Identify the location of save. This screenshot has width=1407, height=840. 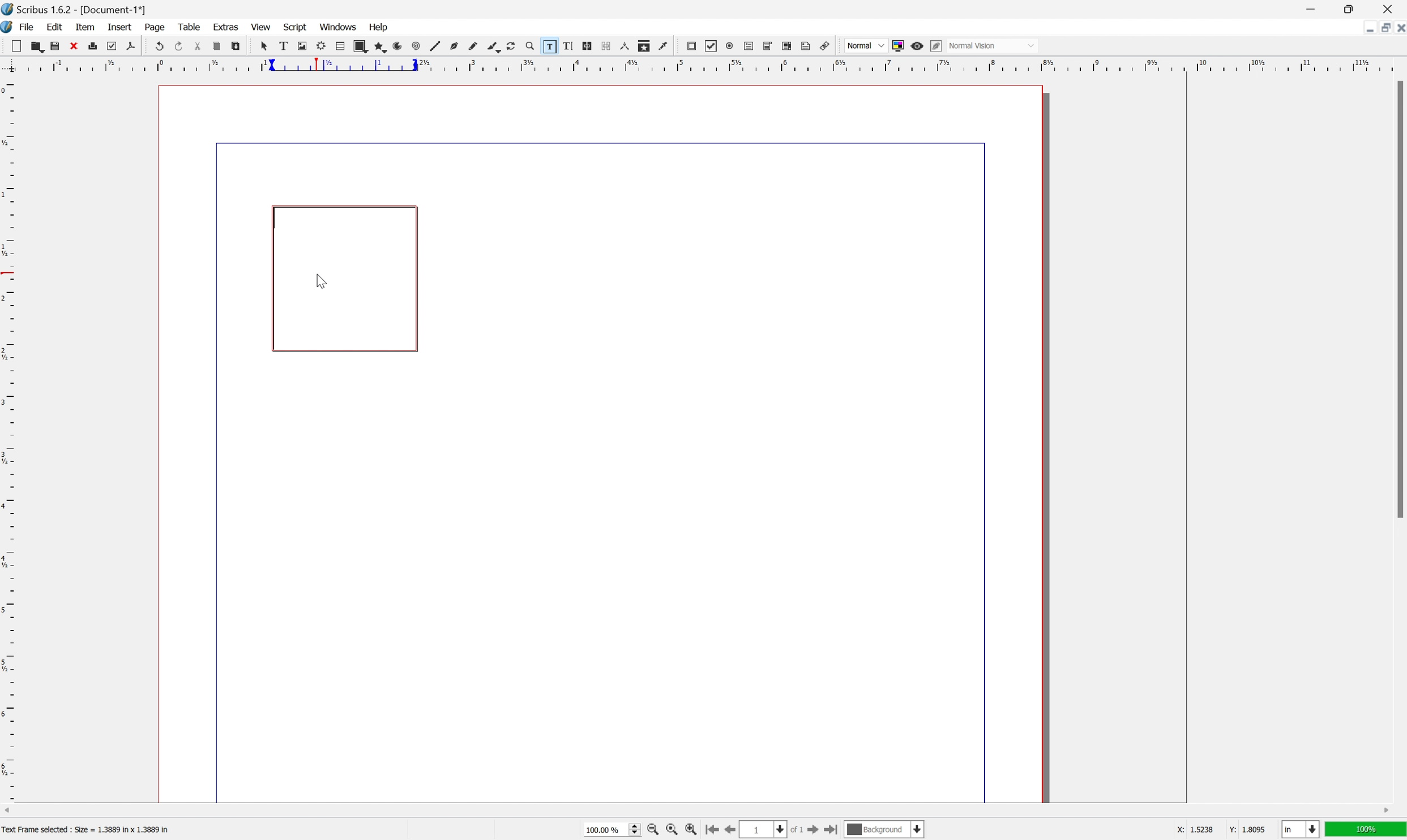
(55, 46).